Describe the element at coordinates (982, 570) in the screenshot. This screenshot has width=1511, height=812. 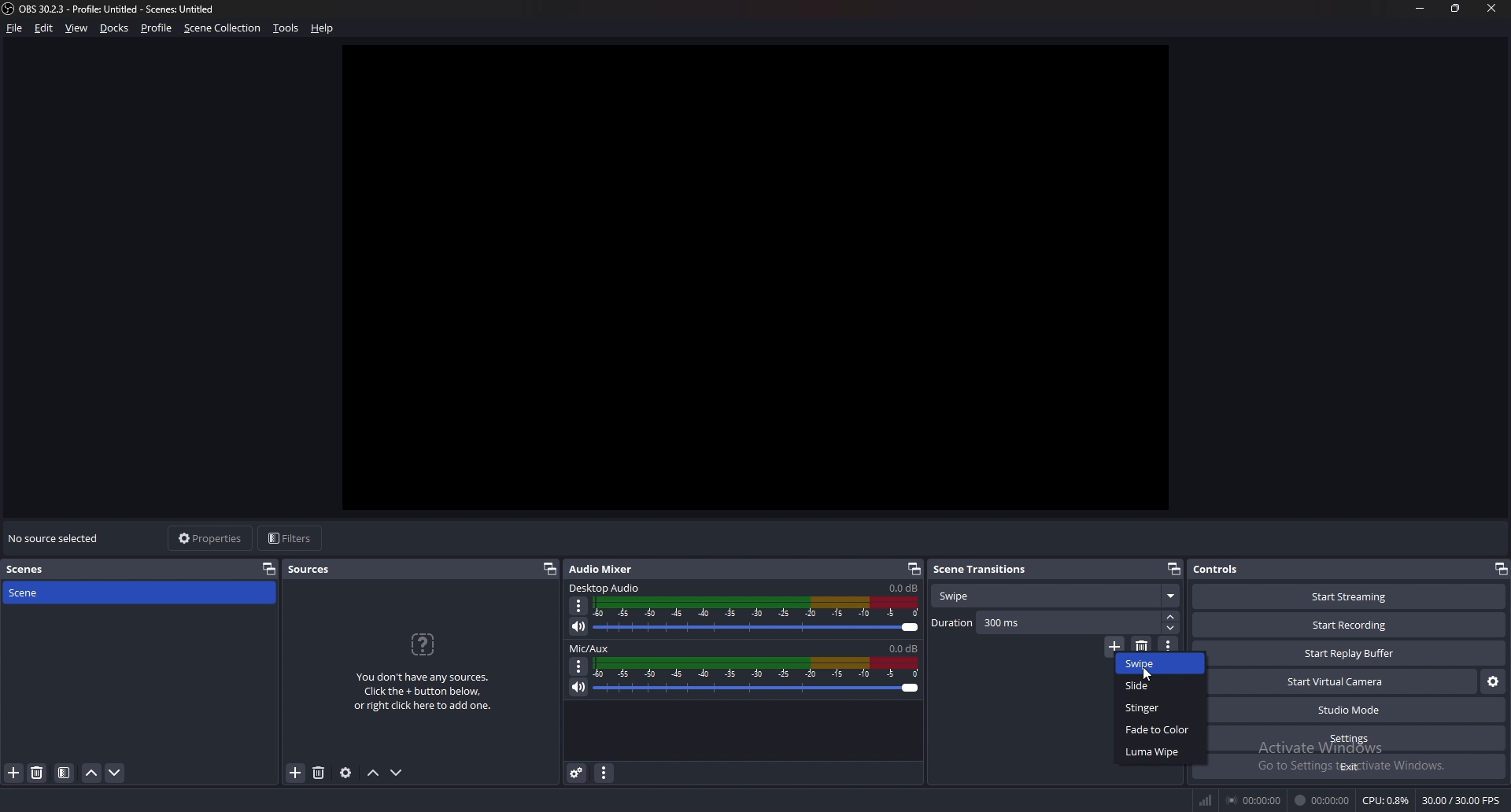
I see `scene transitions` at that location.